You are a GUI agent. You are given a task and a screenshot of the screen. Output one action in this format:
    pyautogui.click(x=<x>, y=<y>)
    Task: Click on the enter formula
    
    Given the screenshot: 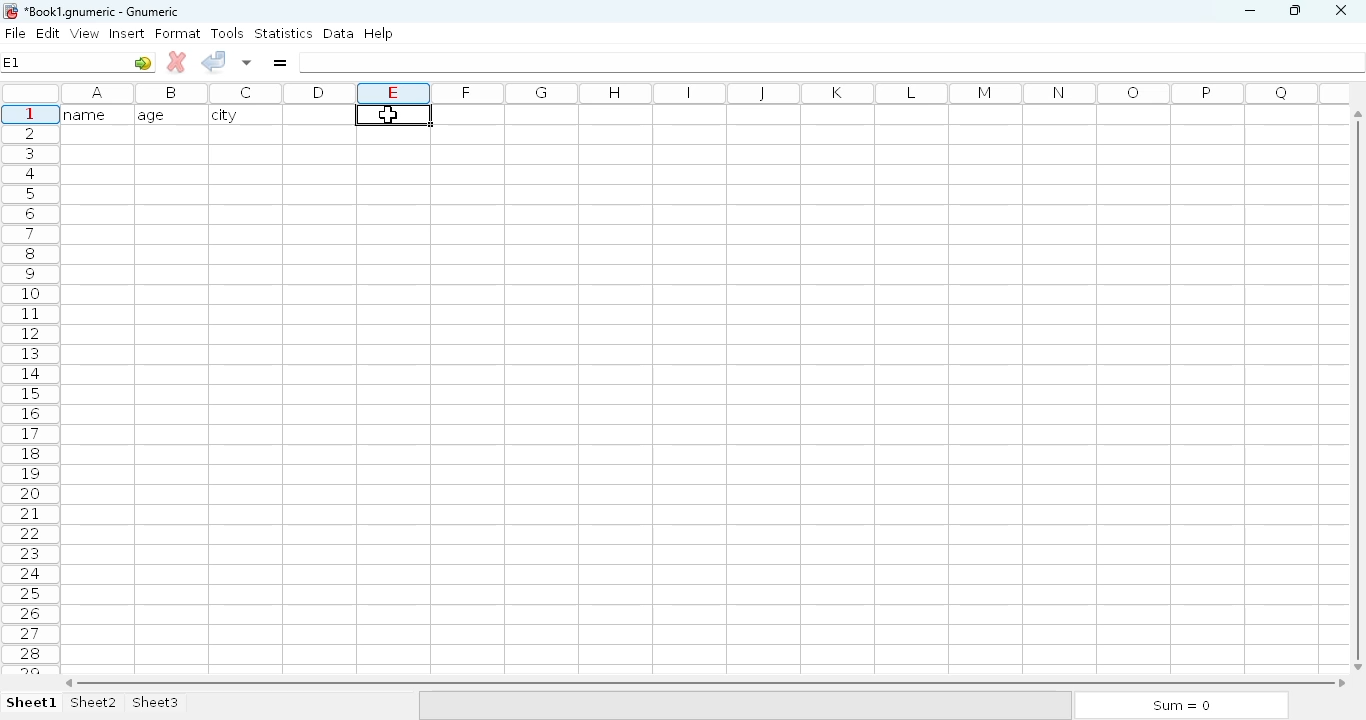 What is the action you would take?
    pyautogui.click(x=279, y=62)
    